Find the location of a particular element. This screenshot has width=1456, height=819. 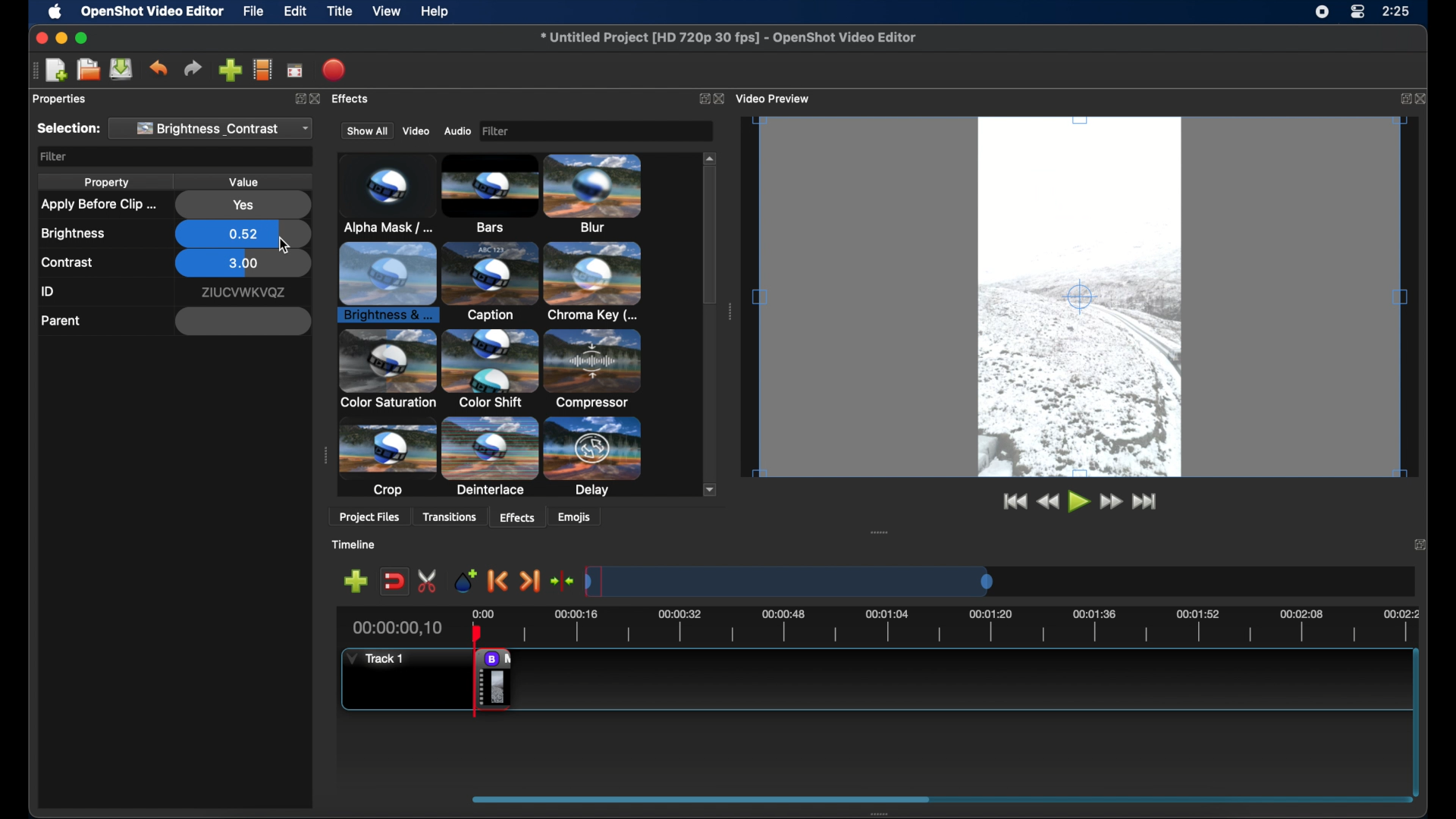

head is located at coordinates (479, 635).